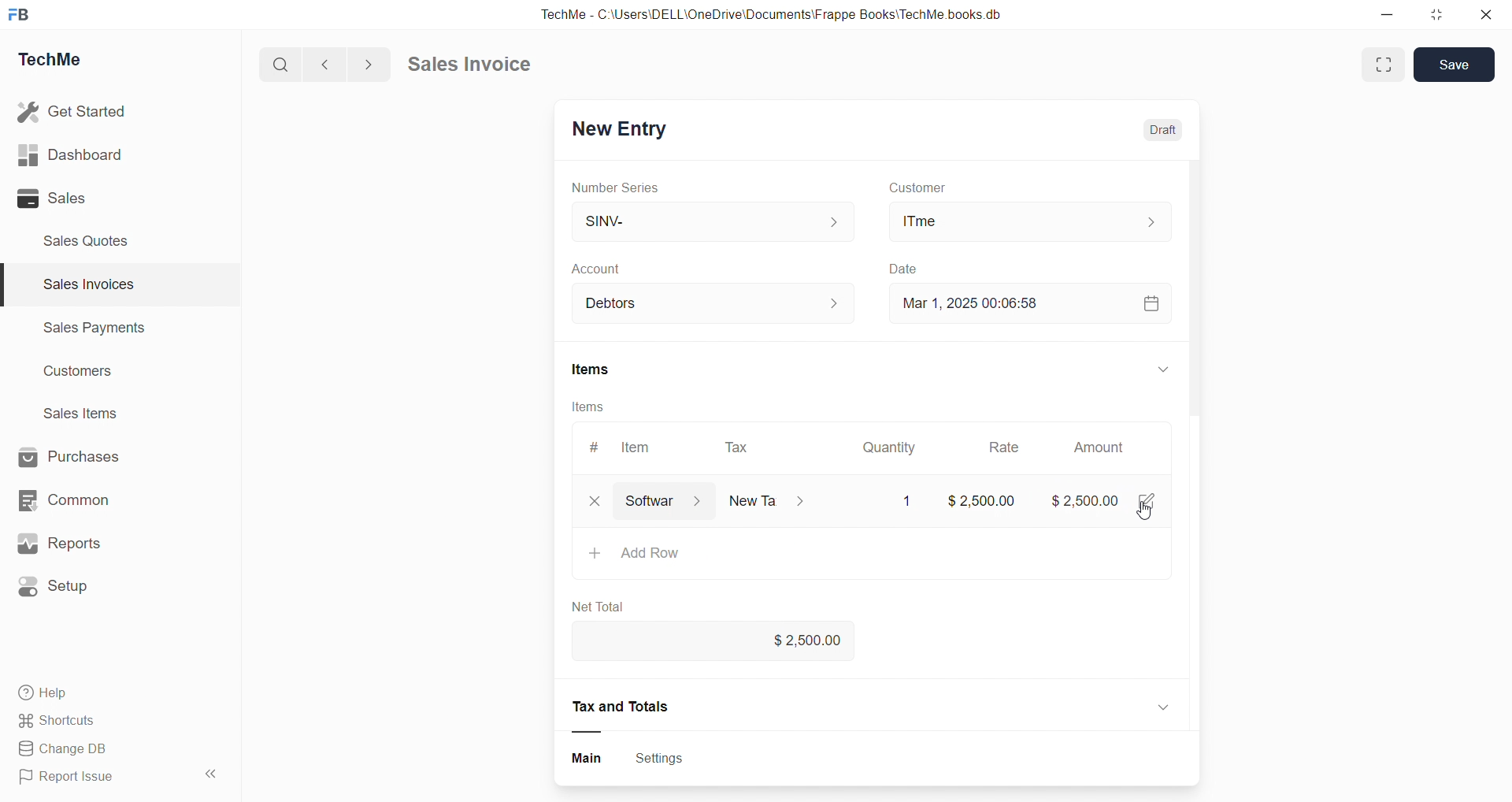  I want to click on Sales Invoices, so click(82, 287).